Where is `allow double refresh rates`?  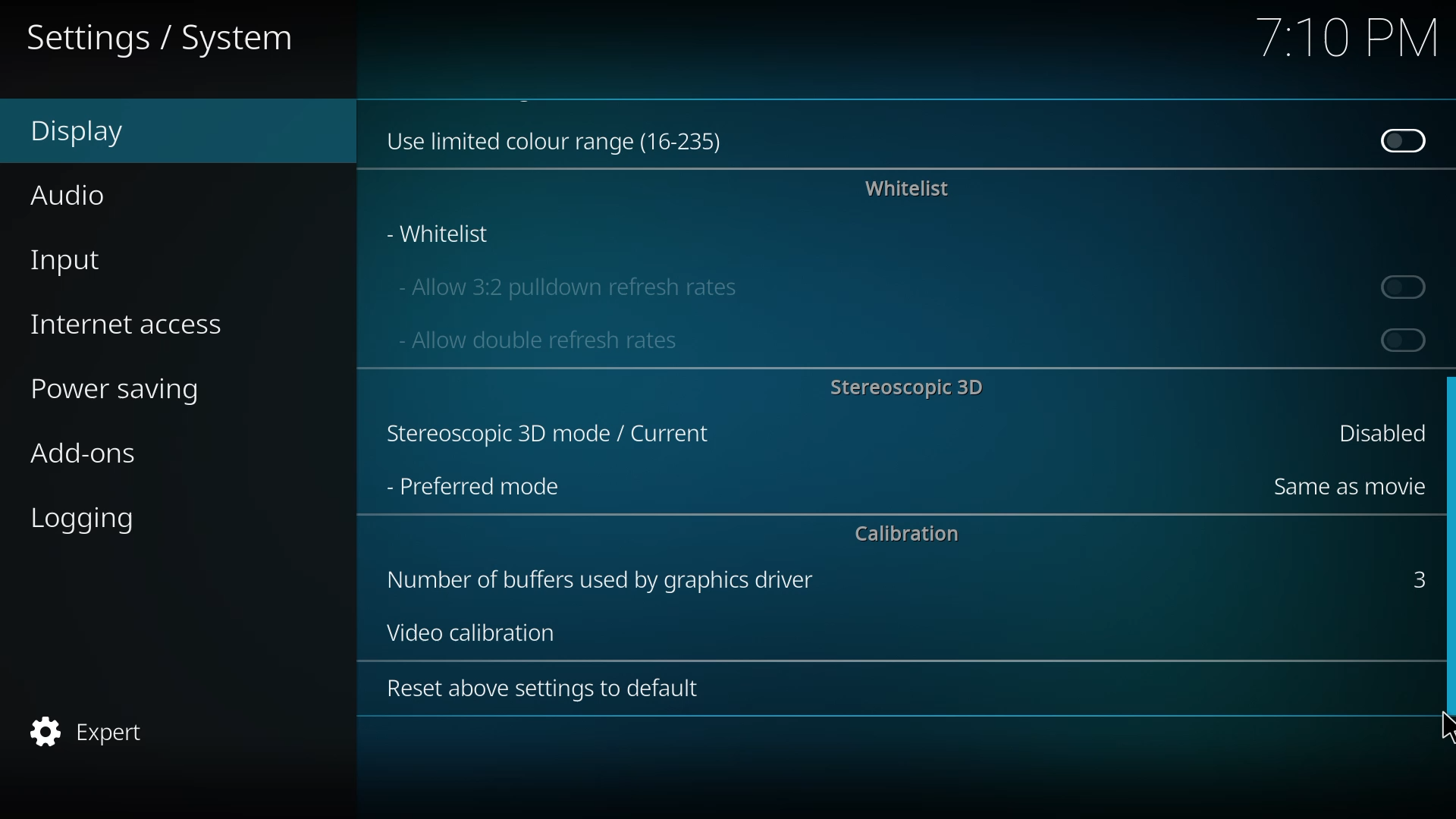
allow double refresh rates is located at coordinates (535, 339).